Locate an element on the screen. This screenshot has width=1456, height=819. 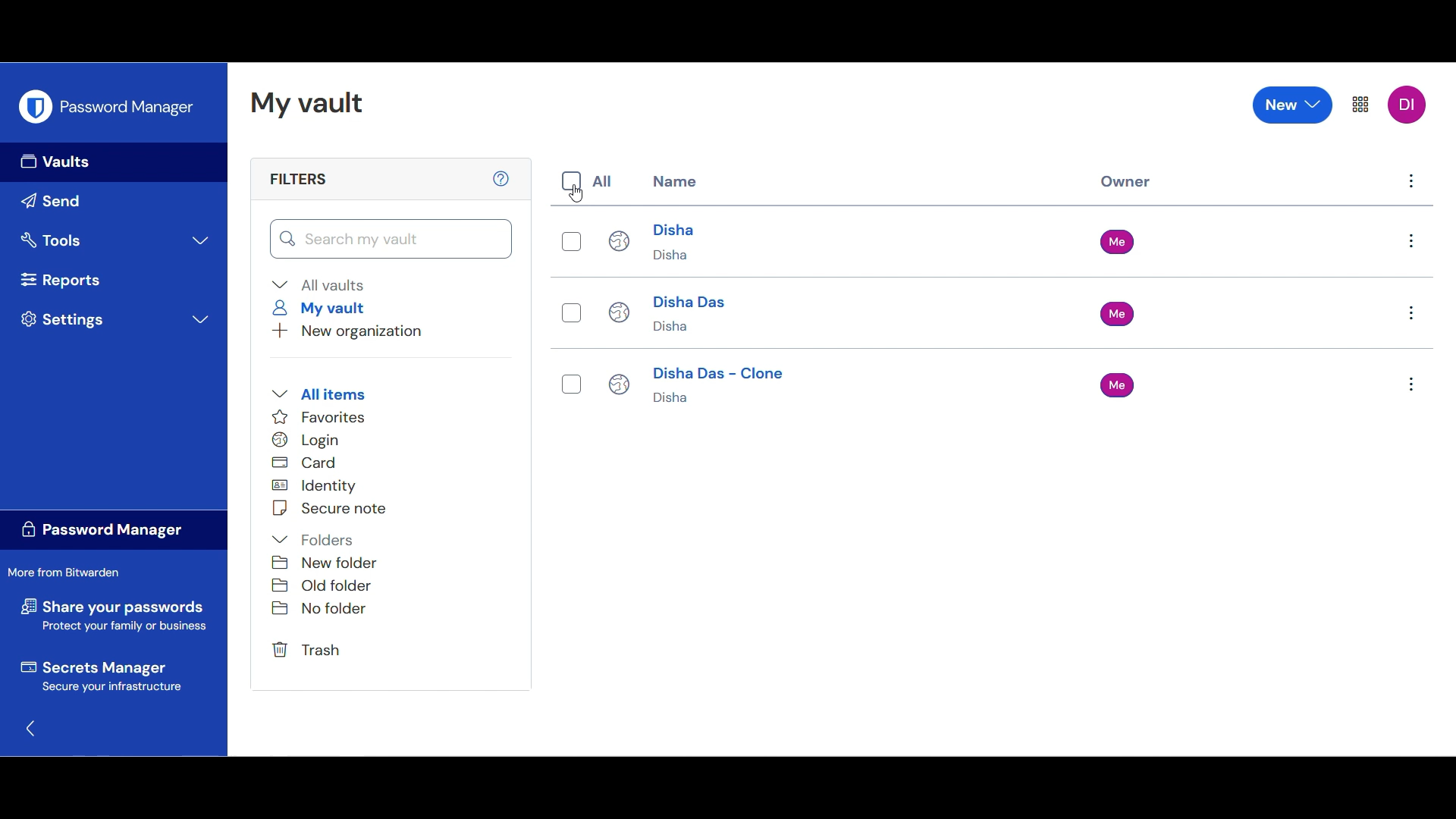
Collapse folders is located at coordinates (315, 540).